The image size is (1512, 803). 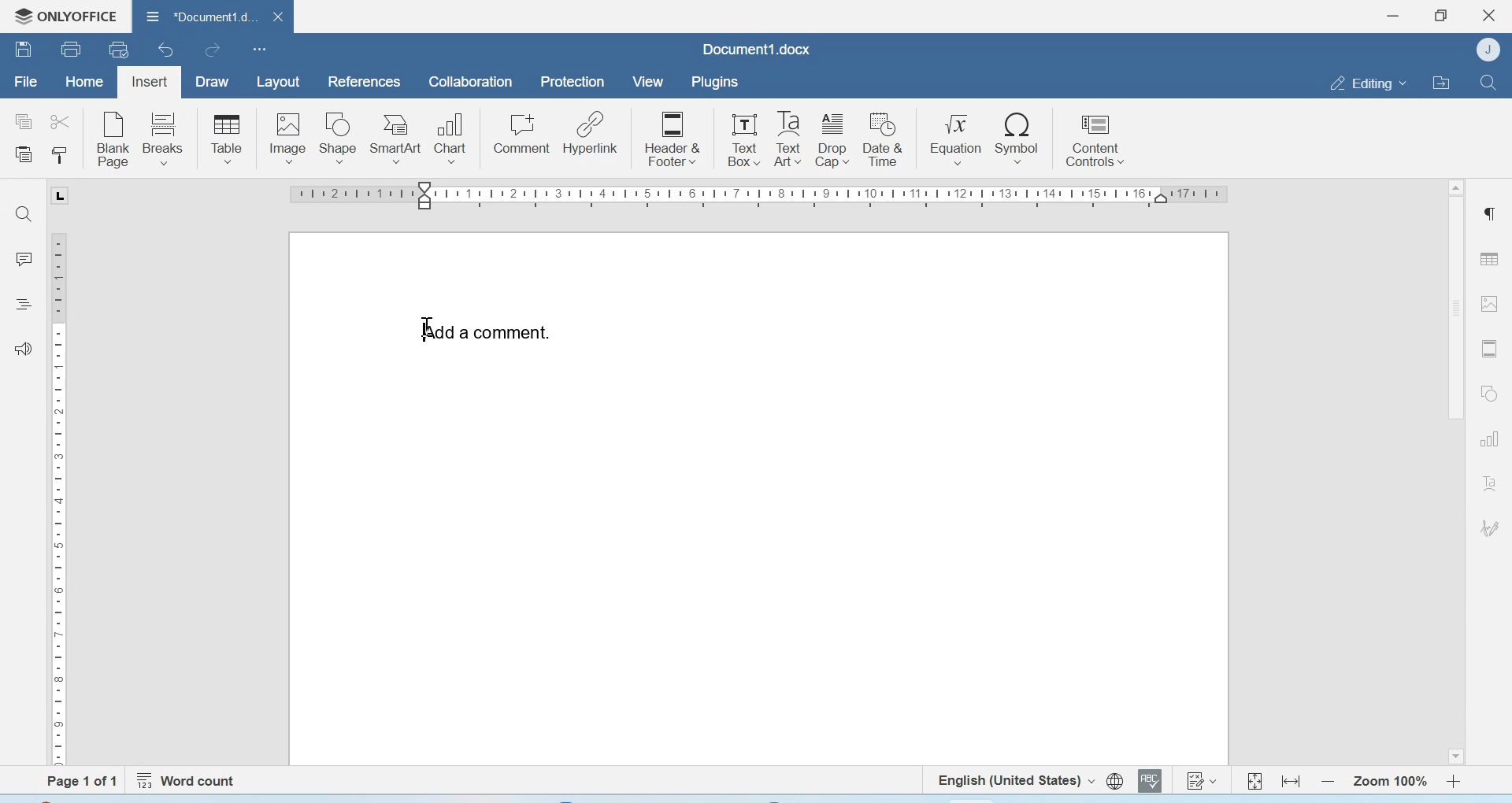 I want to click on Equation, so click(x=956, y=137).